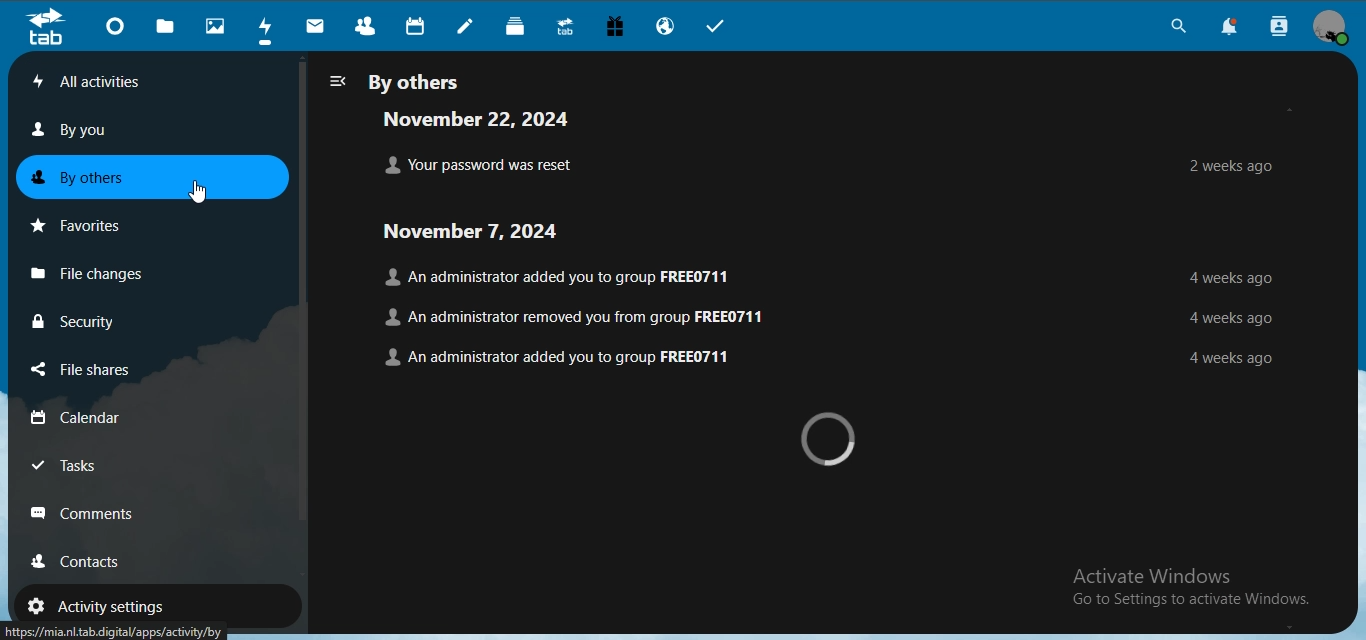 This screenshot has width=1366, height=640. What do you see at coordinates (1227, 27) in the screenshot?
I see `notifications` at bounding box center [1227, 27].